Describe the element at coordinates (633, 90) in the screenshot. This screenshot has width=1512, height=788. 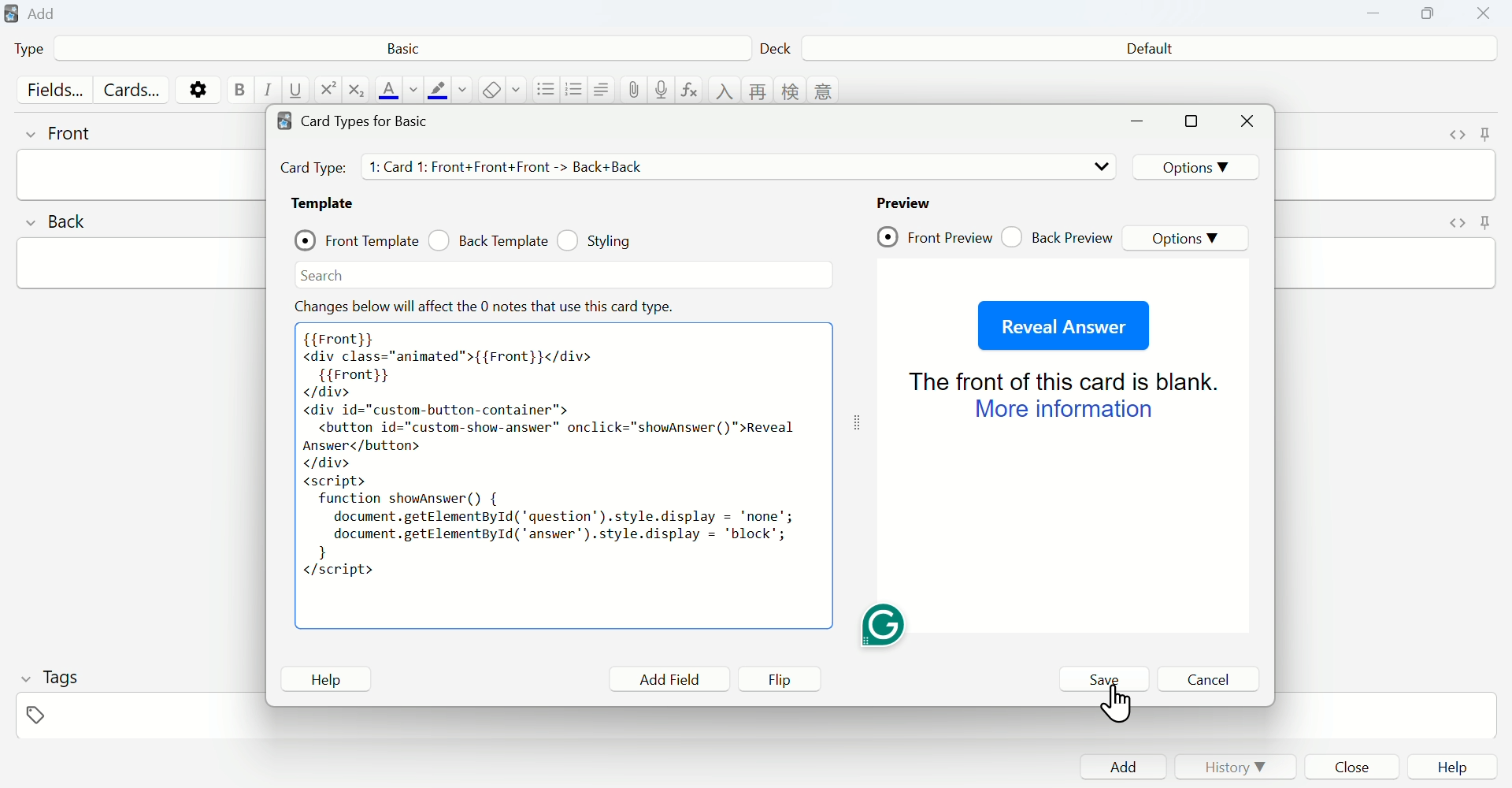
I see `attach pictures/audio/video` at that location.